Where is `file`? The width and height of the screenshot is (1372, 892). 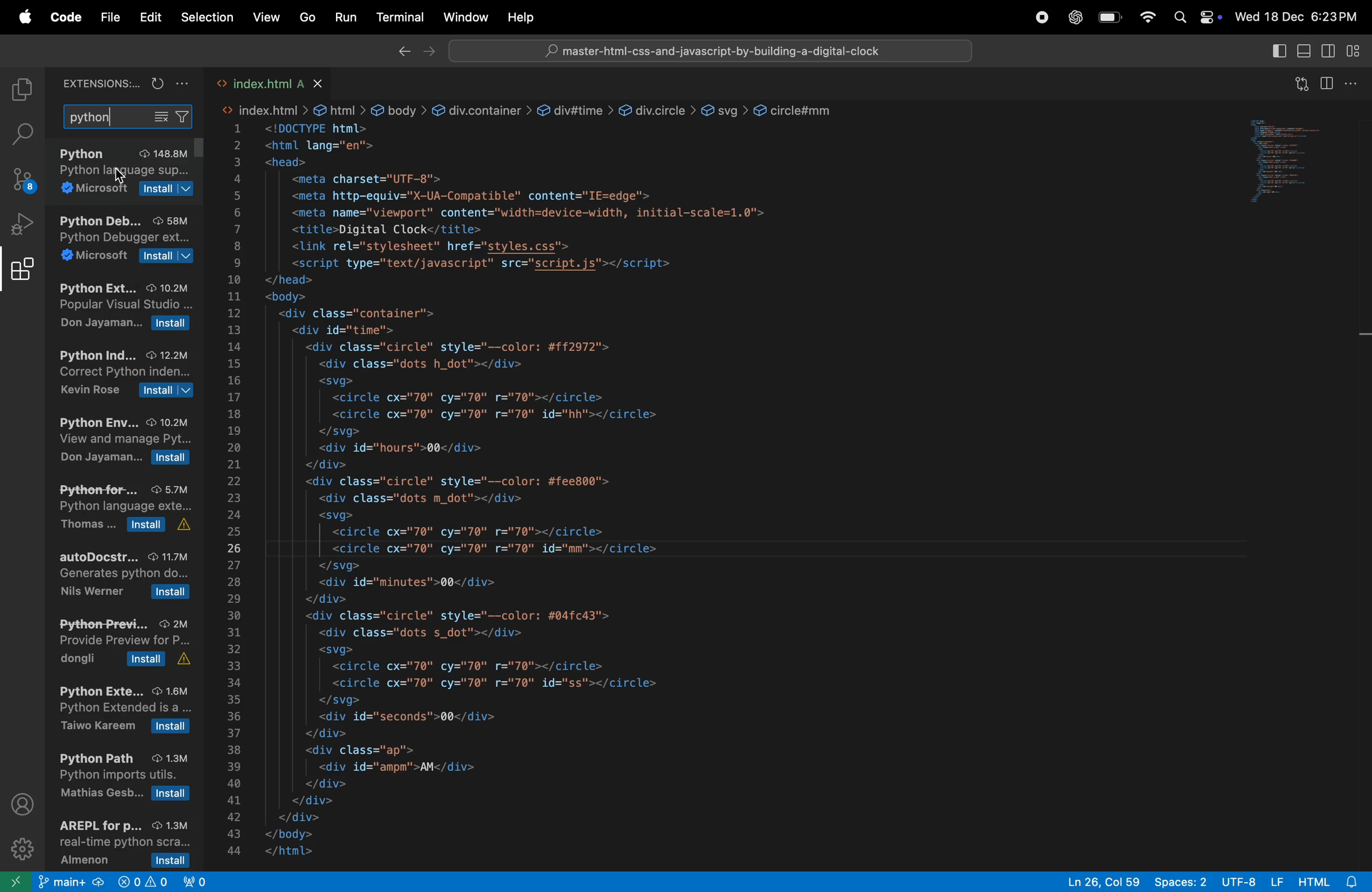
file is located at coordinates (111, 17).